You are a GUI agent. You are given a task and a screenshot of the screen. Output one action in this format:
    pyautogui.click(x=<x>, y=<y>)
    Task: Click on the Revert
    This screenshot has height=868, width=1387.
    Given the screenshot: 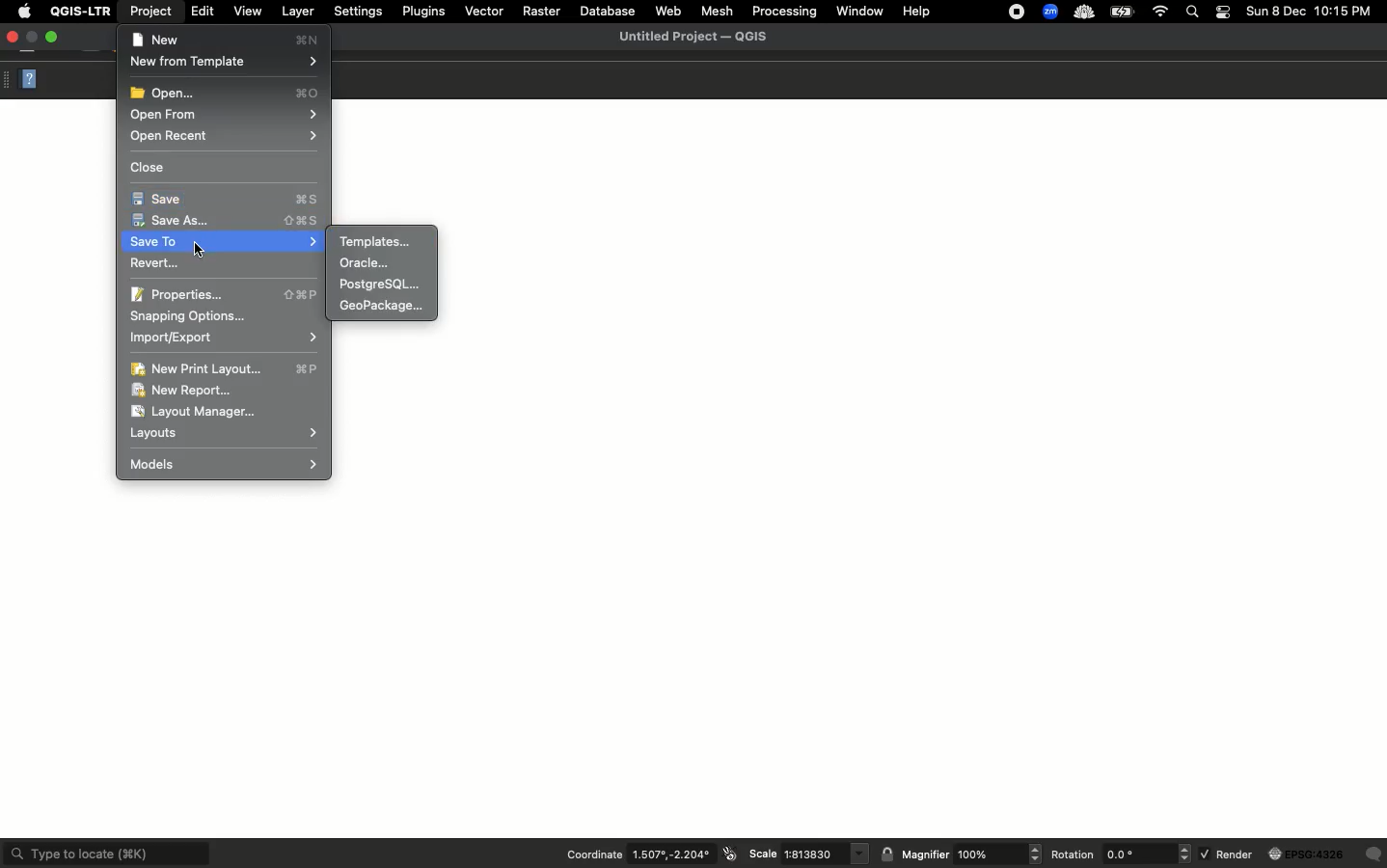 What is the action you would take?
    pyautogui.click(x=151, y=265)
    